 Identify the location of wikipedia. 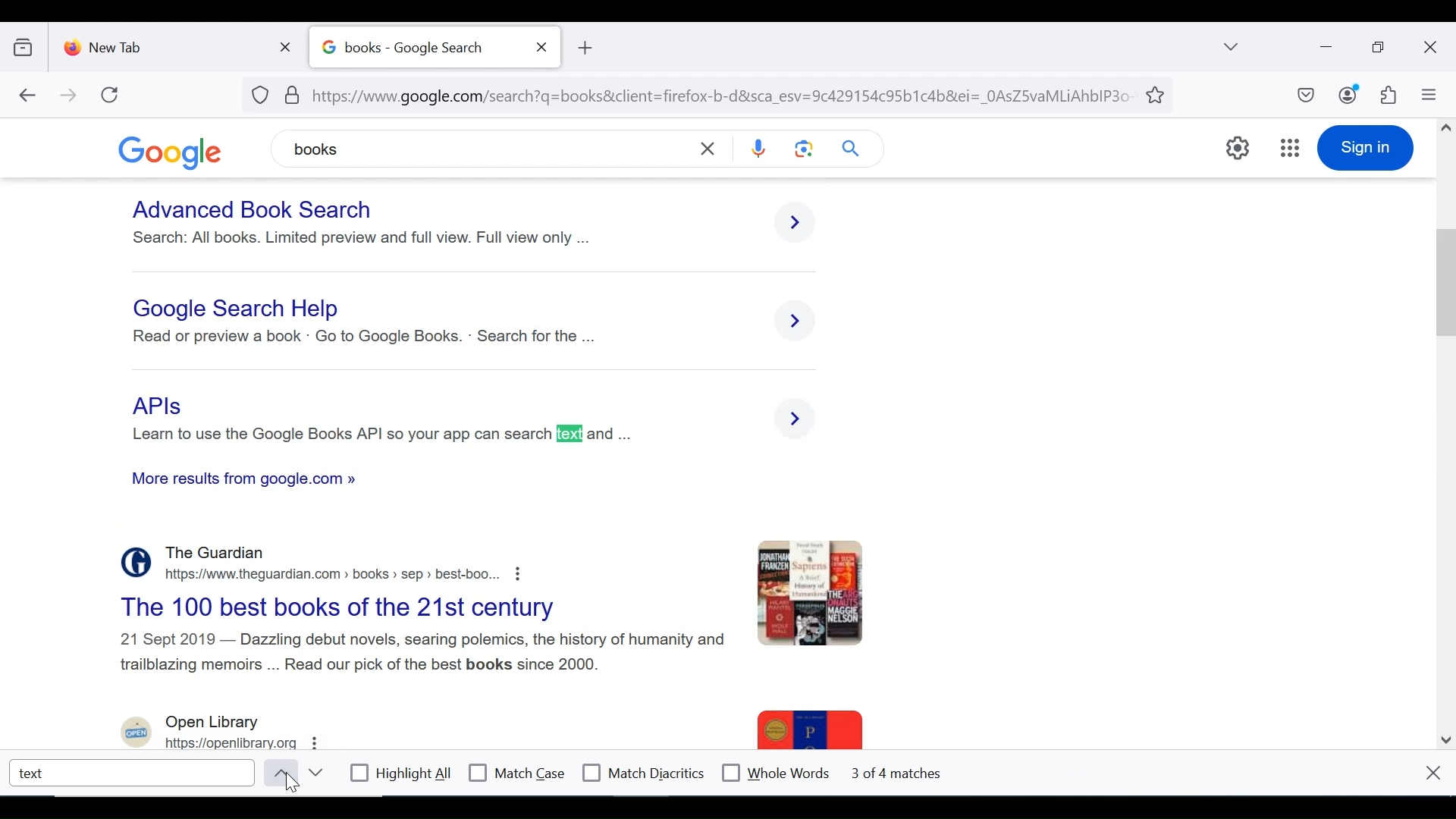
(578, 376).